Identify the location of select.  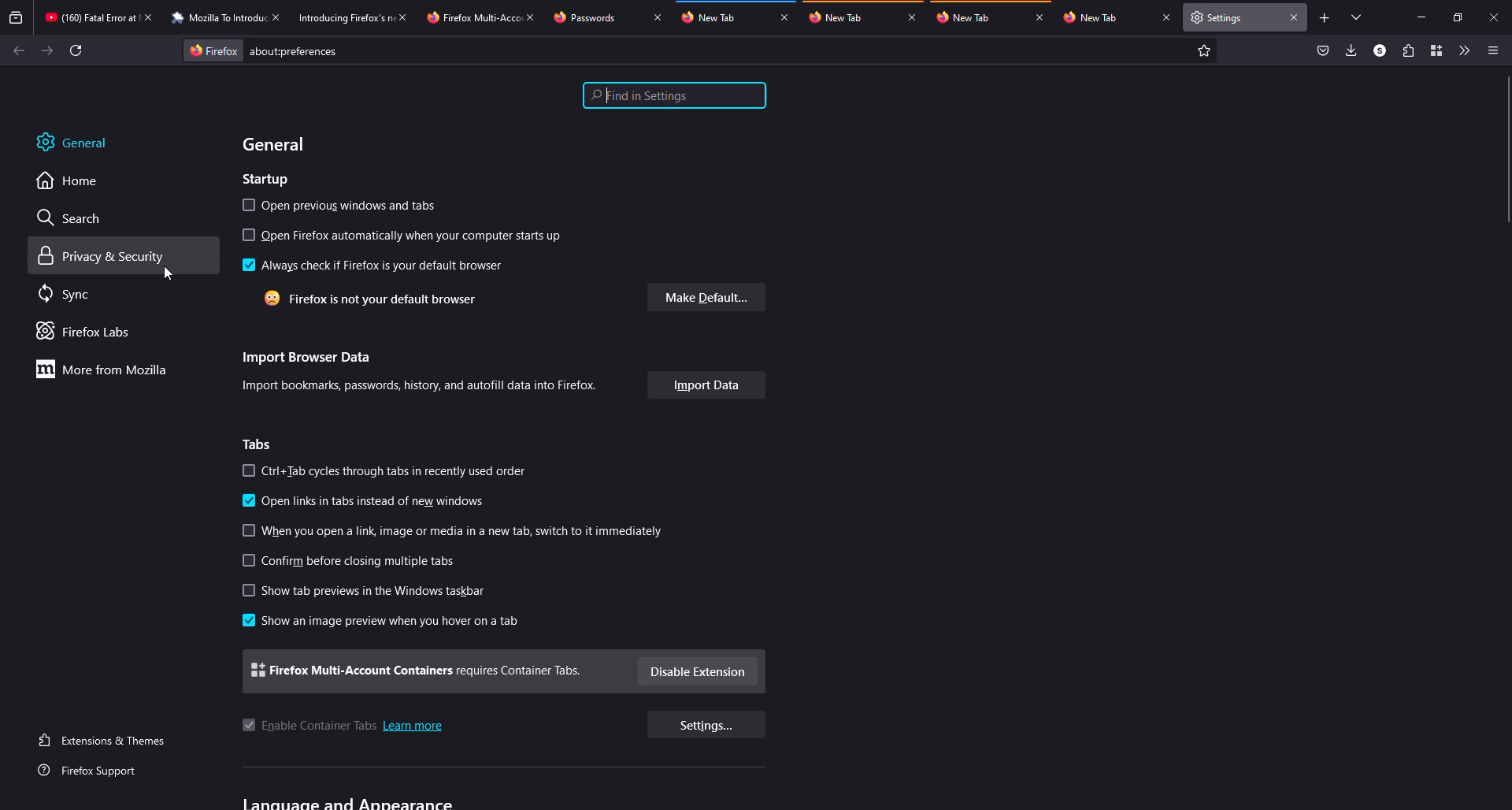
(248, 530).